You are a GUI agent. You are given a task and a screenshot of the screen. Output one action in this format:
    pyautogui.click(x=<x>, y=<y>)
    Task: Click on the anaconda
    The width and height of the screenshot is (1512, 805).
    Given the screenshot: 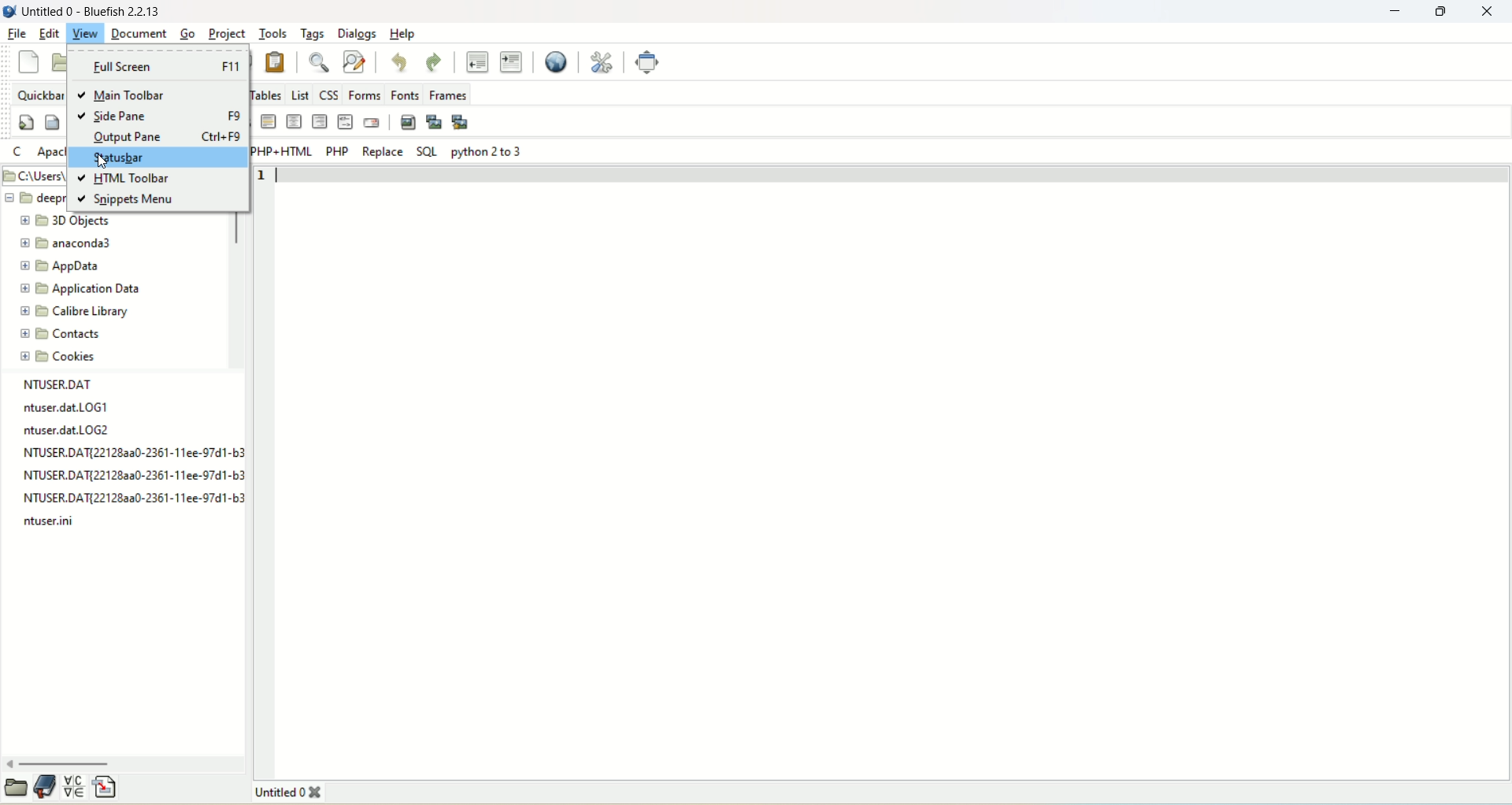 What is the action you would take?
    pyautogui.click(x=71, y=243)
    